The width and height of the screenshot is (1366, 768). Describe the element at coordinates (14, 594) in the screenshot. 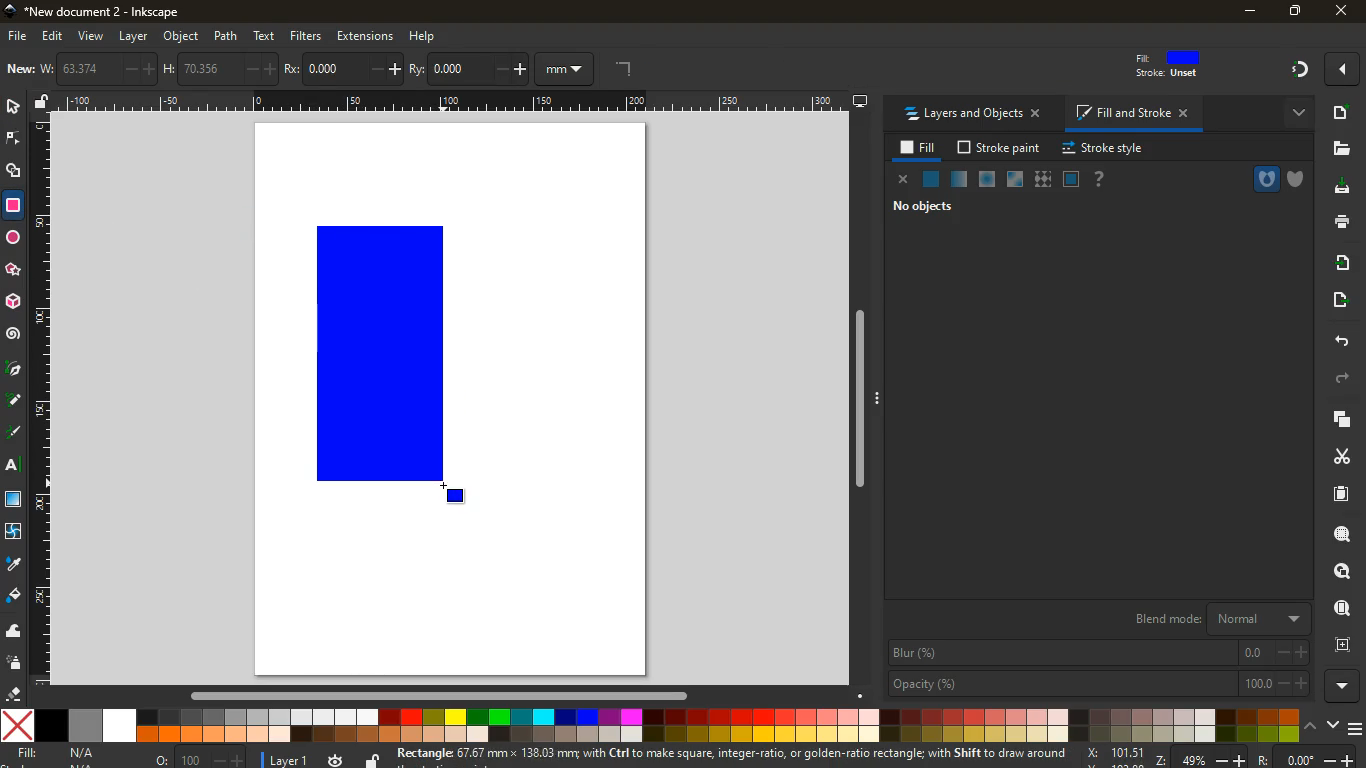

I see `fill` at that location.